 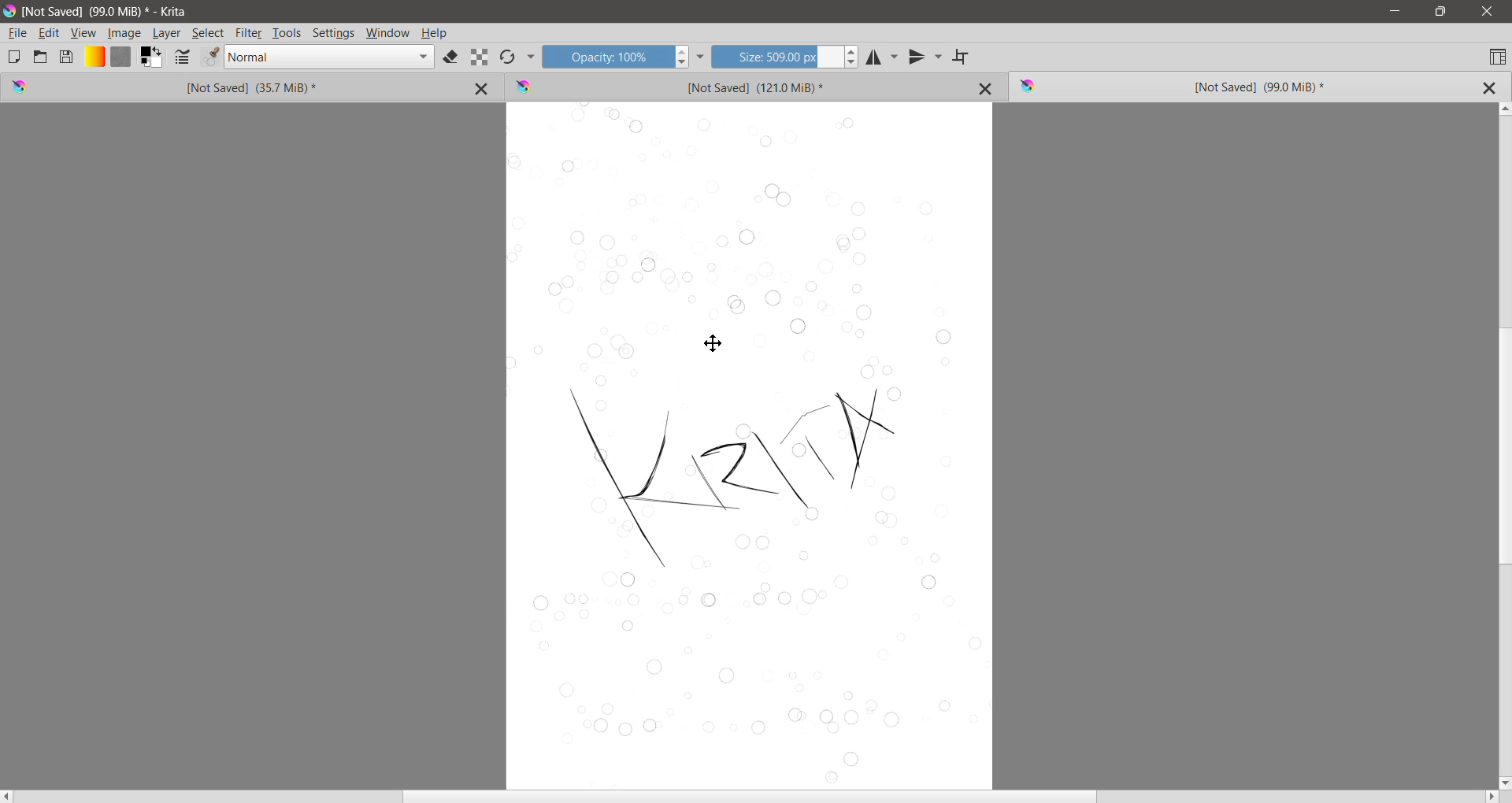 What do you see at coordinates (925, 57) in the screenshot?
I see `Vertical Mirror Tool` at bounding box center [925, 57].